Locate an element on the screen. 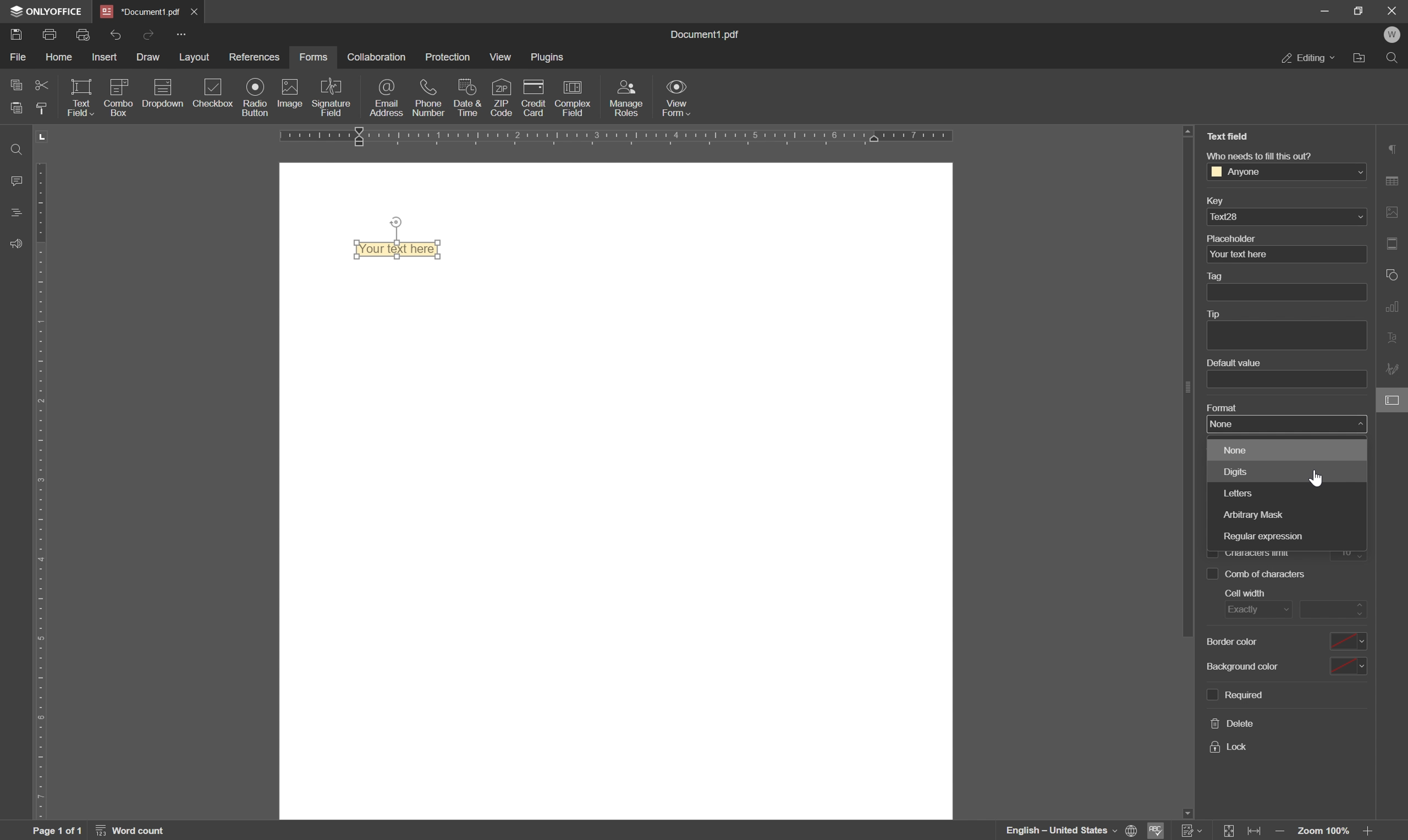 The image size is (1408, 840). save is located at coordinates (15, 35).